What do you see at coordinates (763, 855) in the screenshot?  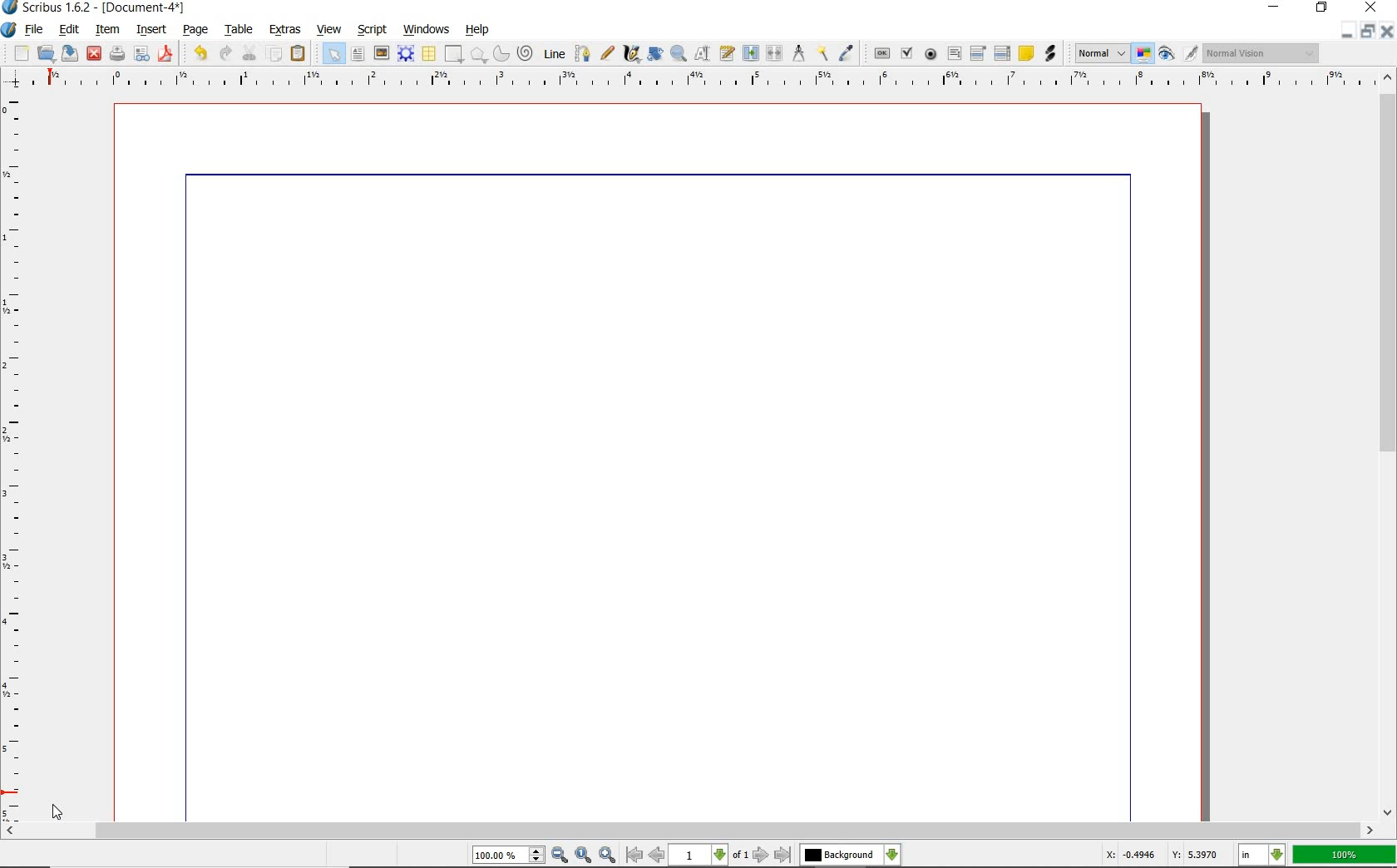 I see `go to next page` at bounding box center [763, 855].